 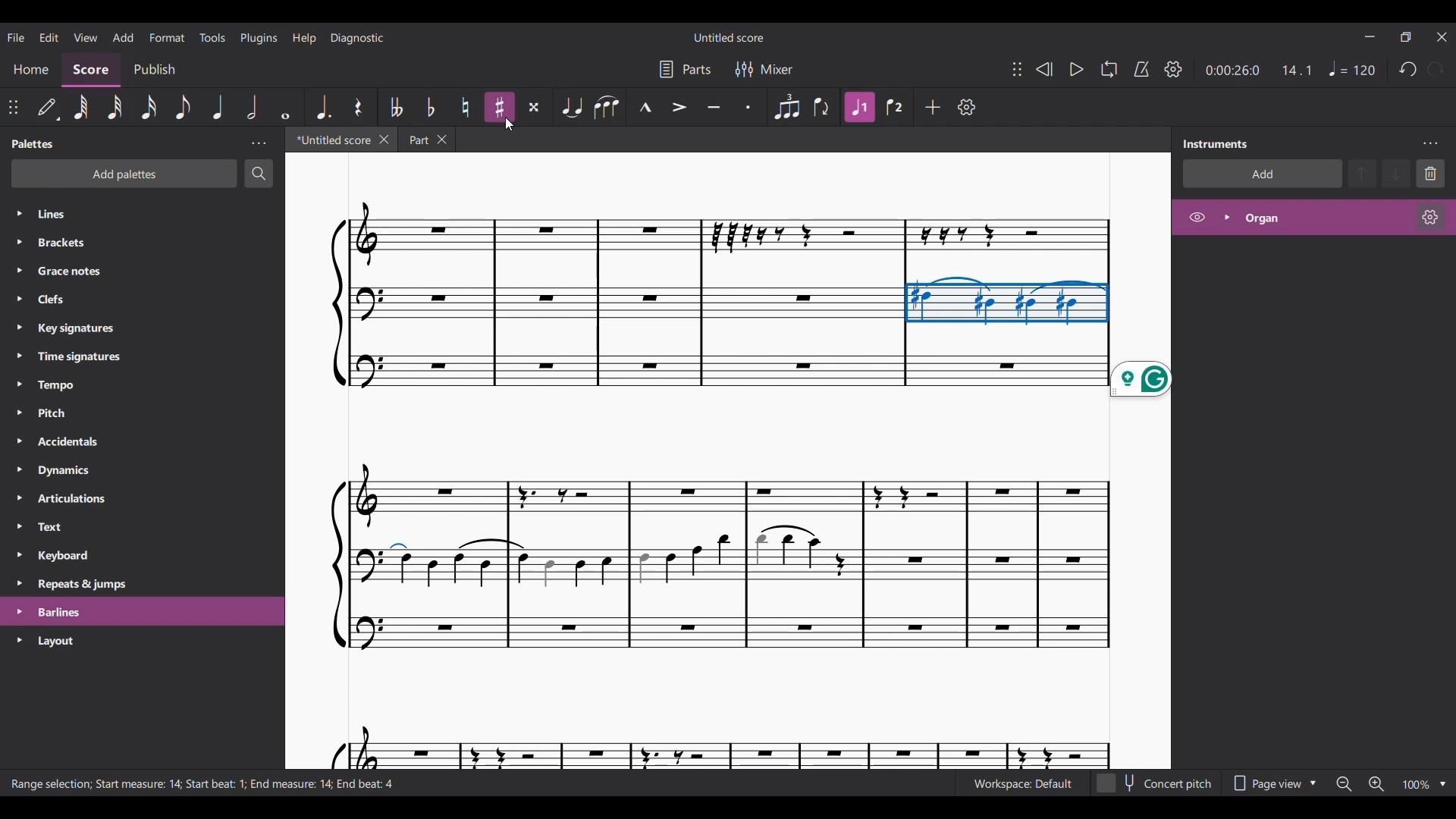 What do you see at coordinates (1407, 70) in the screenshot?
I see `Undo` at bounding box center [1407, 70].